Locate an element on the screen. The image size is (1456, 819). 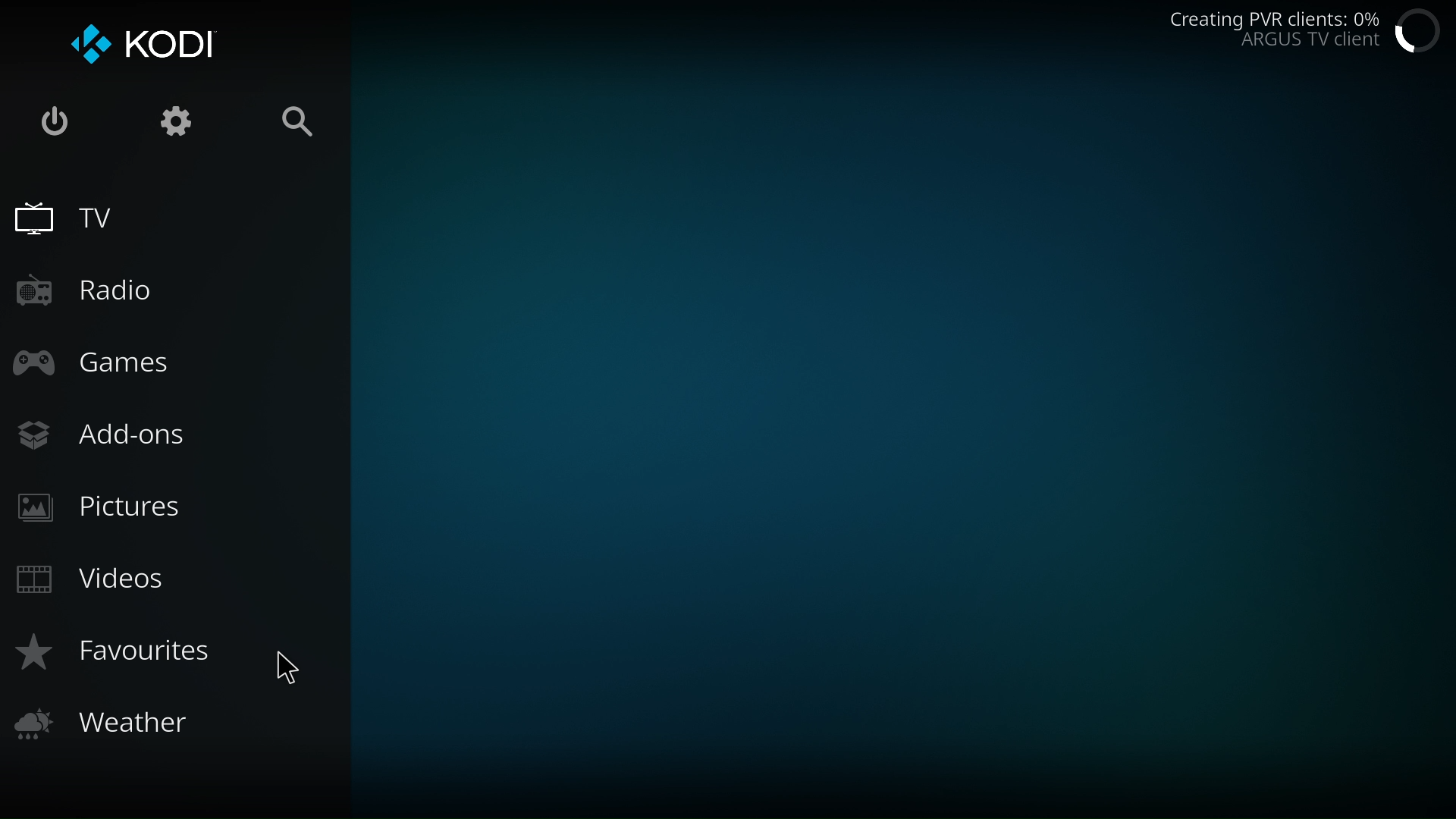
videos is located at coordinates (94, 582).